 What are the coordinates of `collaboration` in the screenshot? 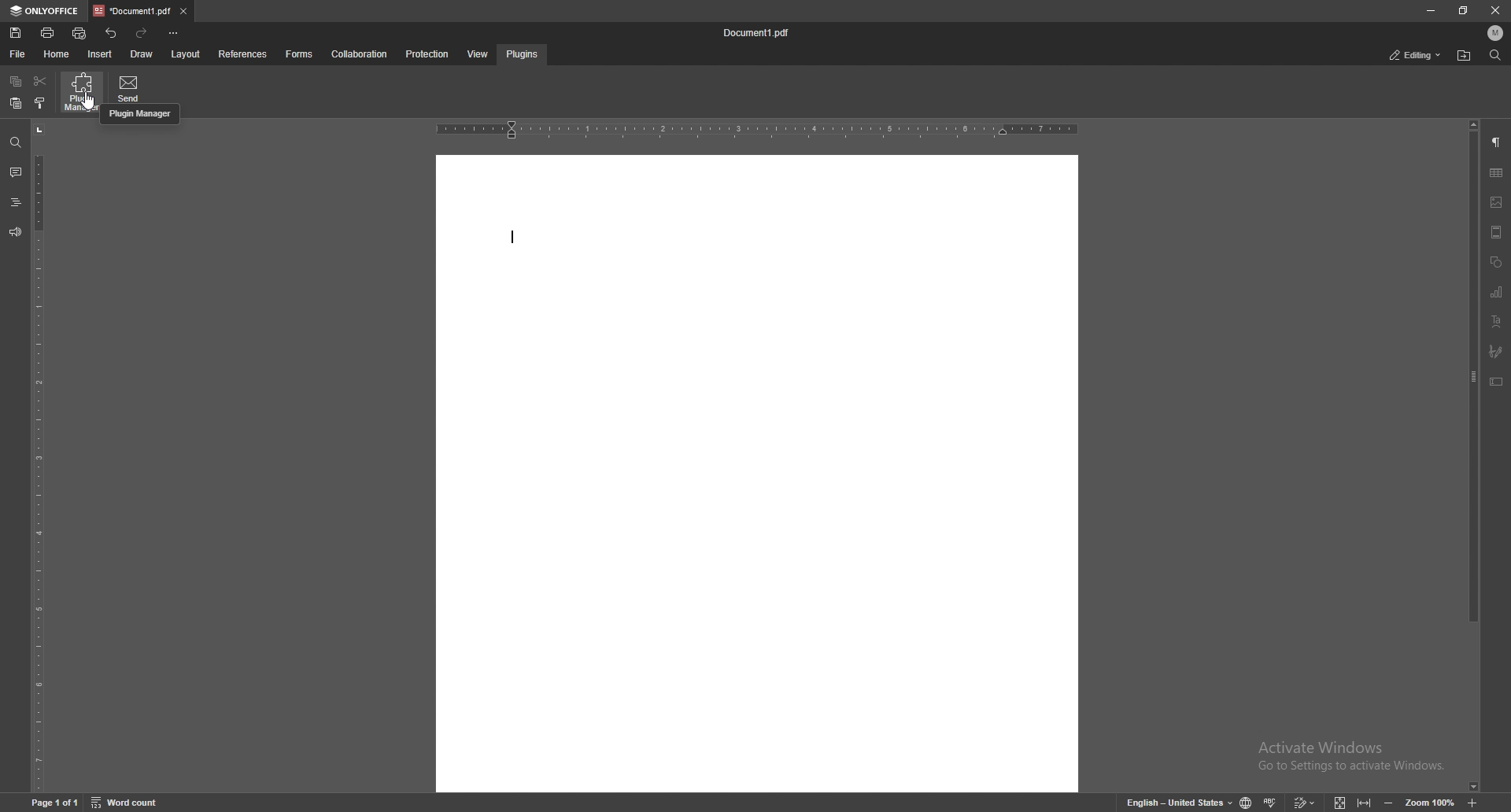 It's located at (360, 54).